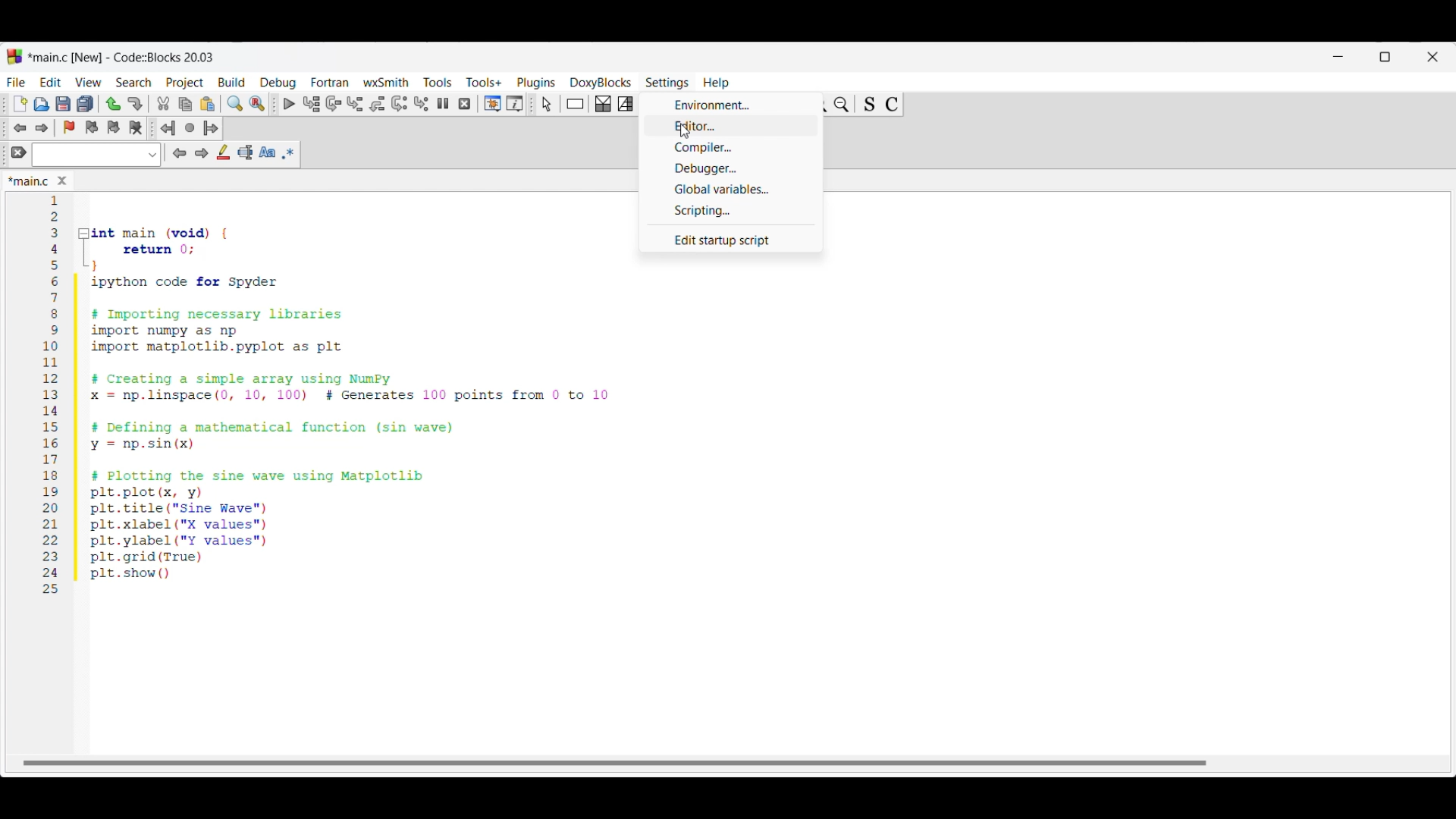  Describe the element at coordinates (731, 147) in the screenshot. I see `Compiler` at that location.